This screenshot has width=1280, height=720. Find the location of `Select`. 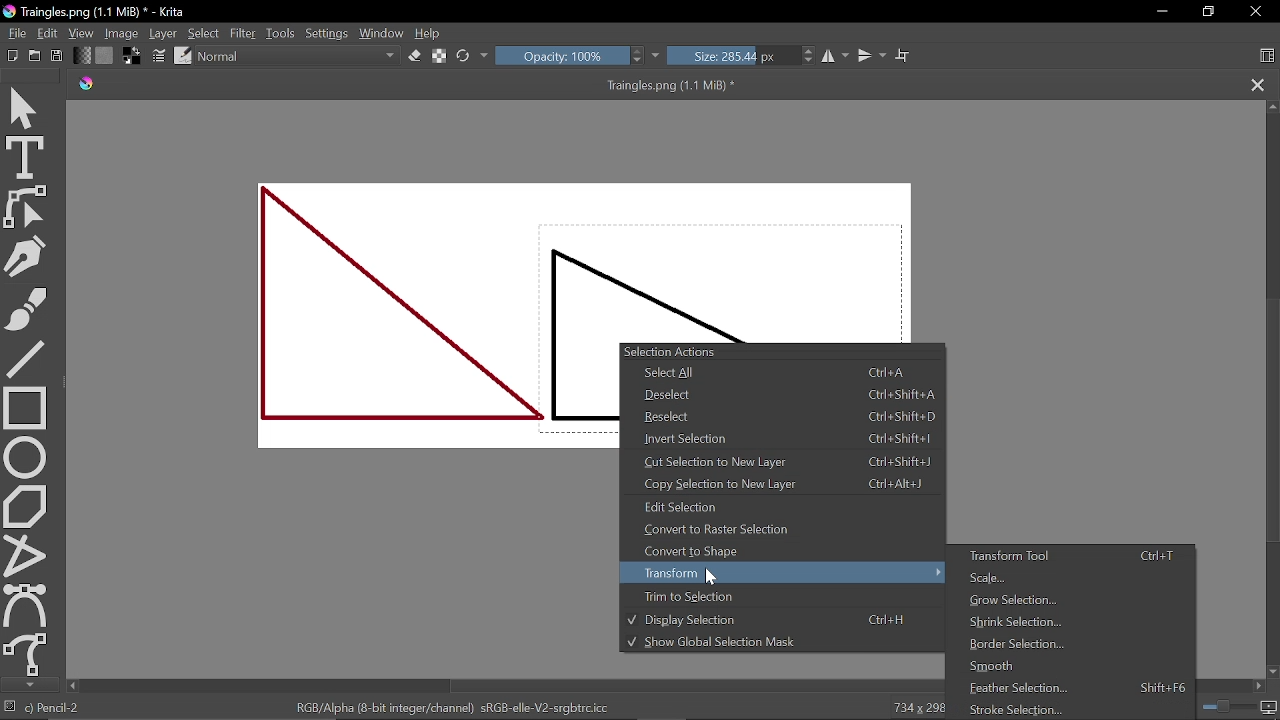

Select is located at coordinates (206, 33).